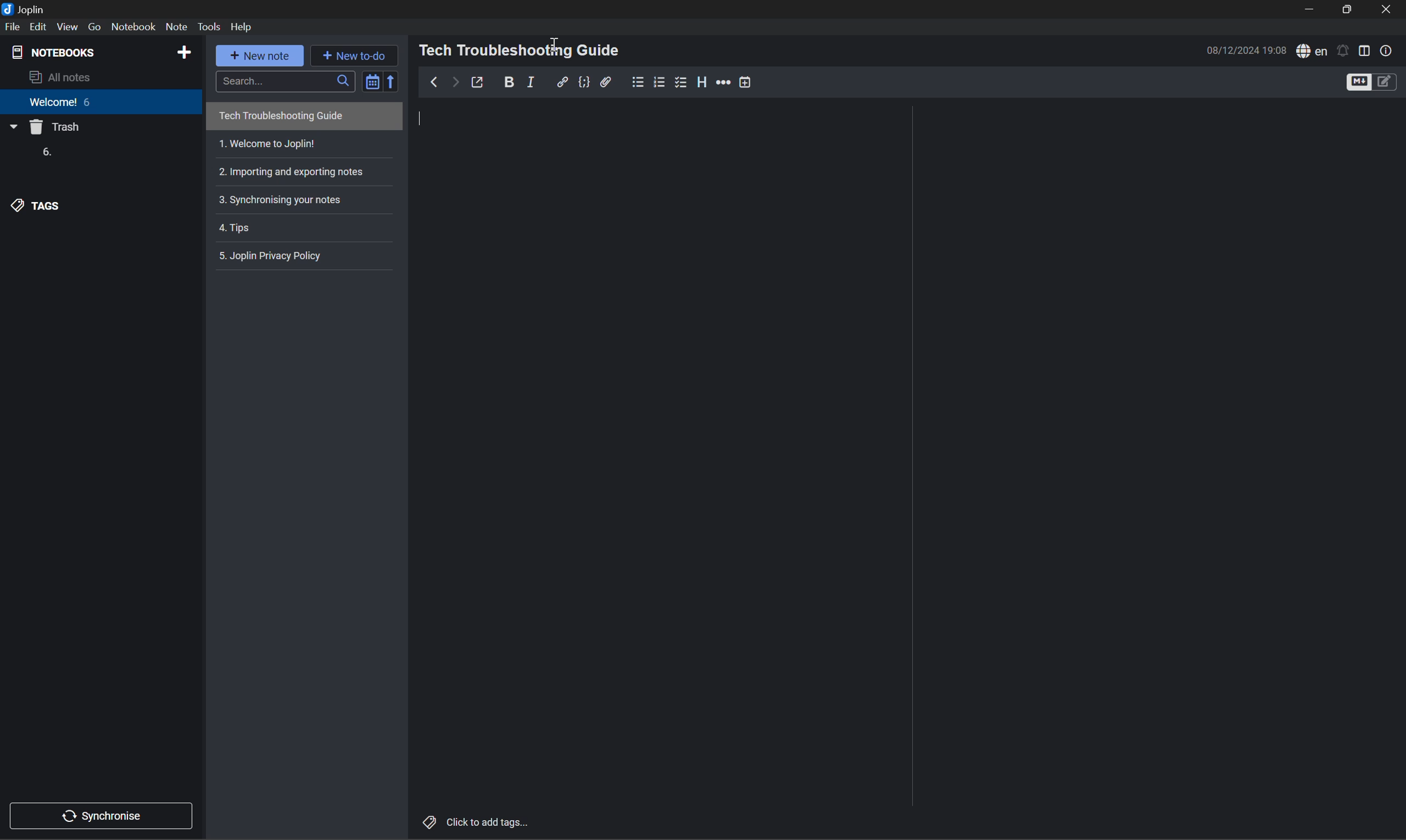  What do you see at coordinates (39, 205) in the screenshot?
I see `TAGS` at bounding box center [39, 205].